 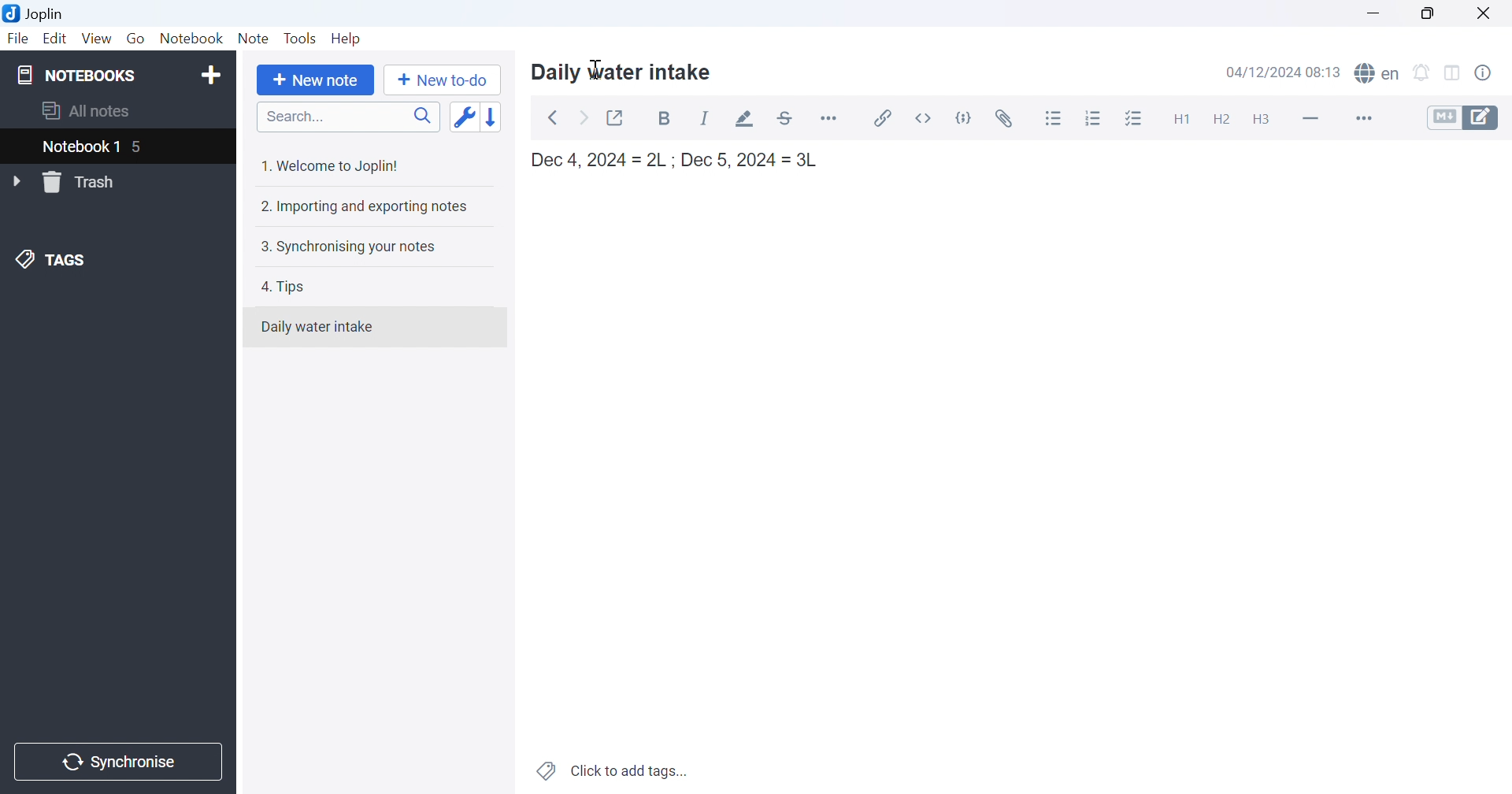 I want to click on Horizontal Line, so click(x=1310, y=119).